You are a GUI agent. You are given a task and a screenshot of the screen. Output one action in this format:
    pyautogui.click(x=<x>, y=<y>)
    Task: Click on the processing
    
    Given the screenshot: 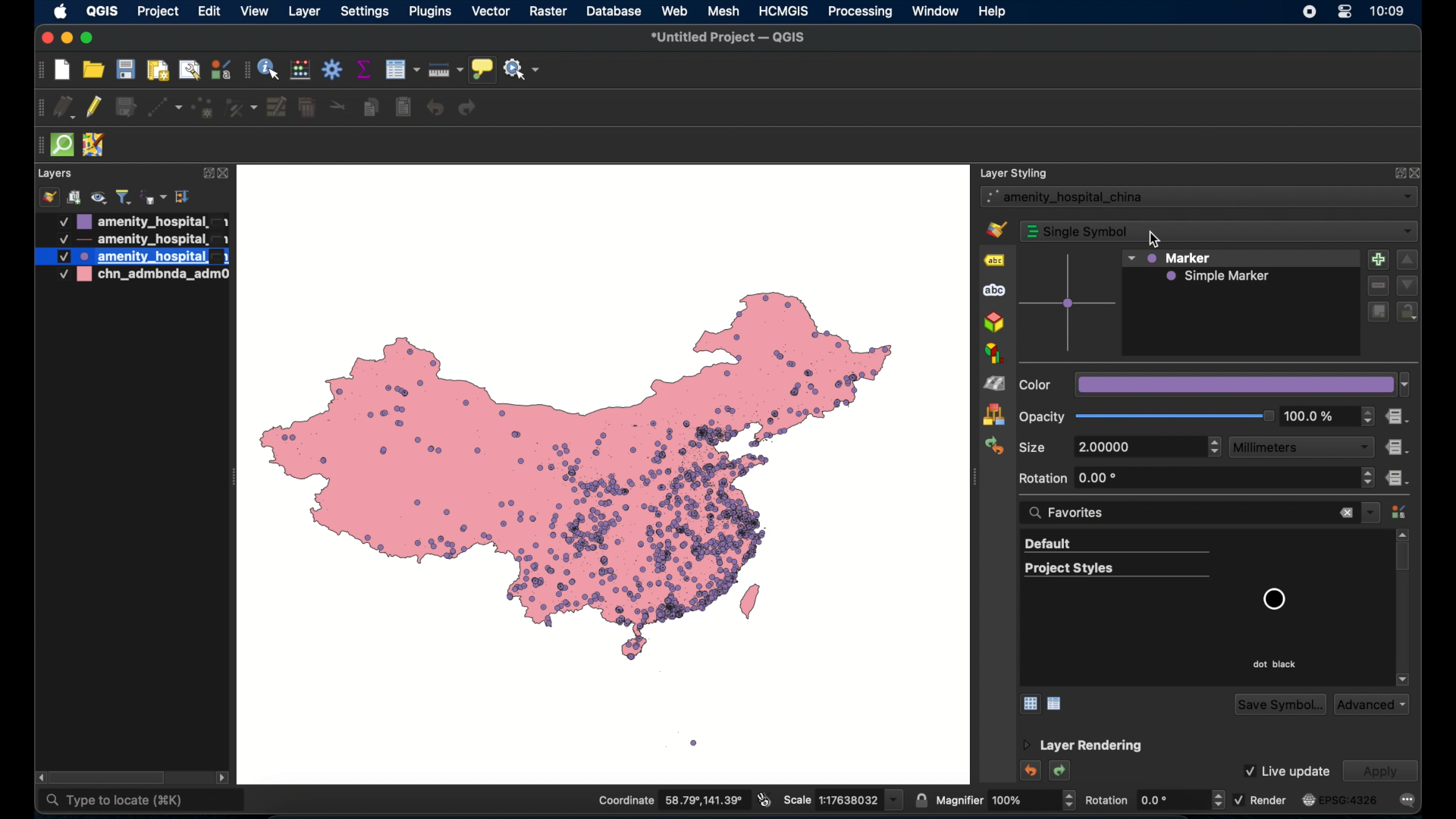 What is the action you would take?
    pyautogui.click(x=859, y=12)
    